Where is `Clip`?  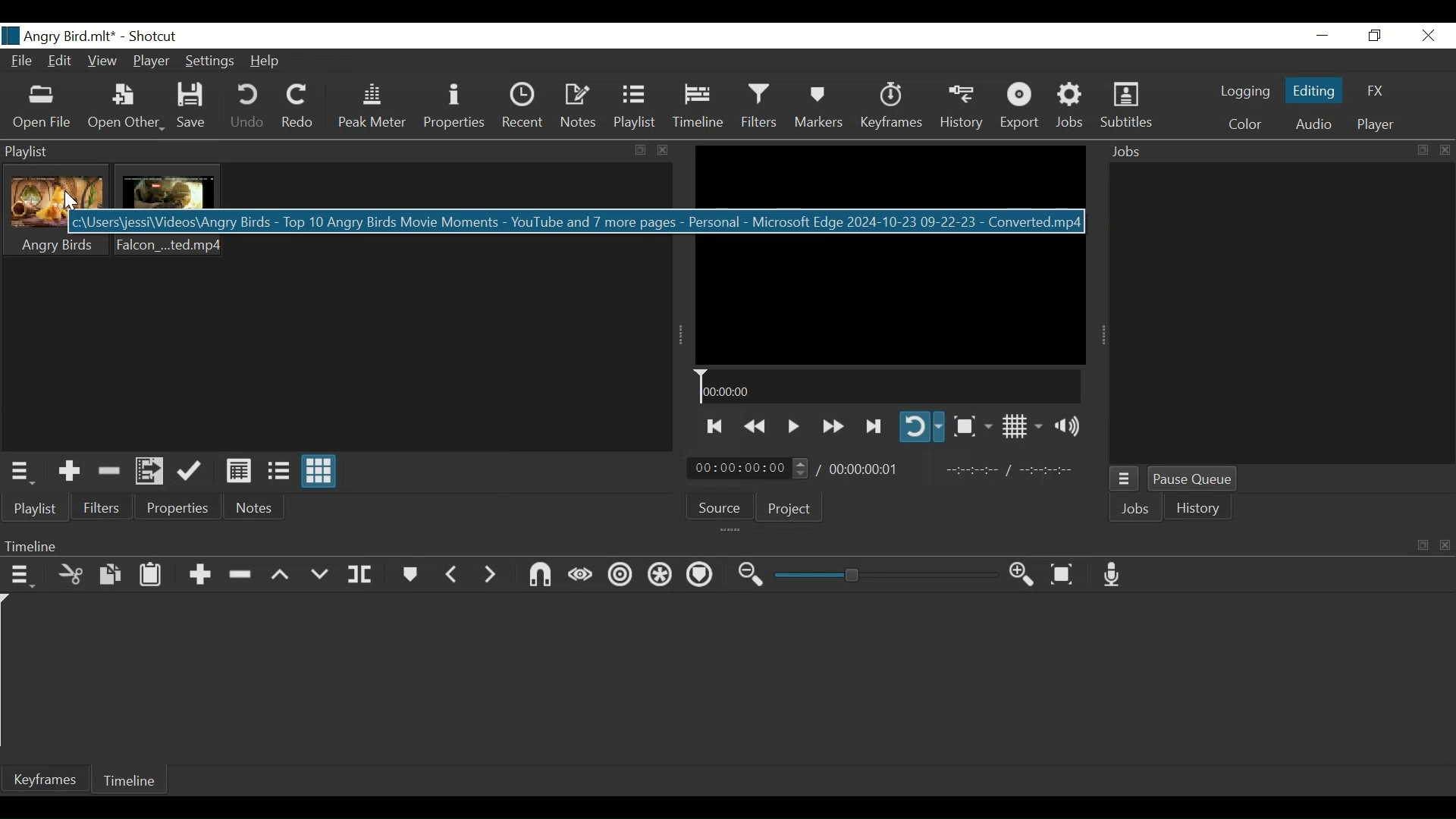 Clip is located at coordinates (53, 211).